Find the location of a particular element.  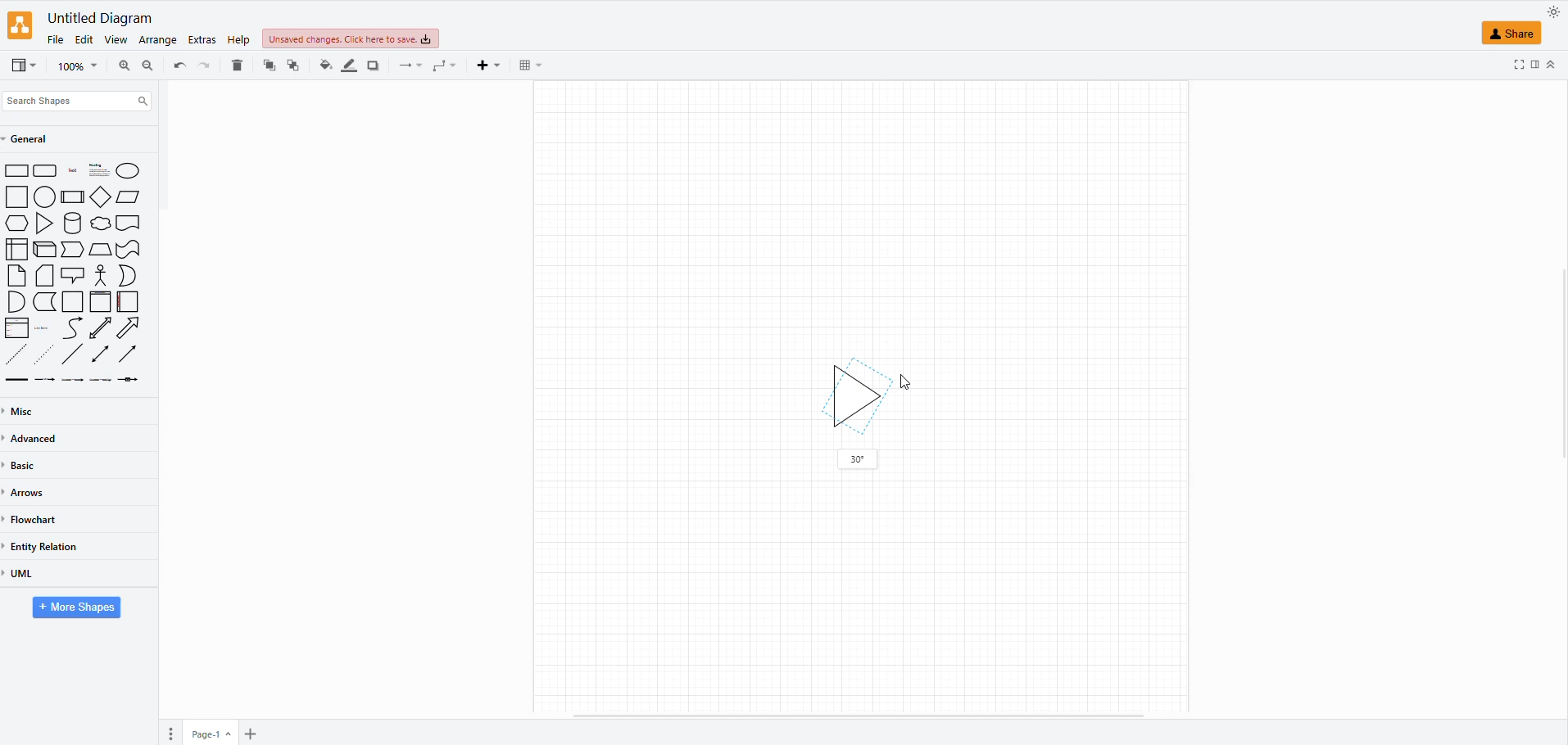

Table is located at coordinates (16, 249).